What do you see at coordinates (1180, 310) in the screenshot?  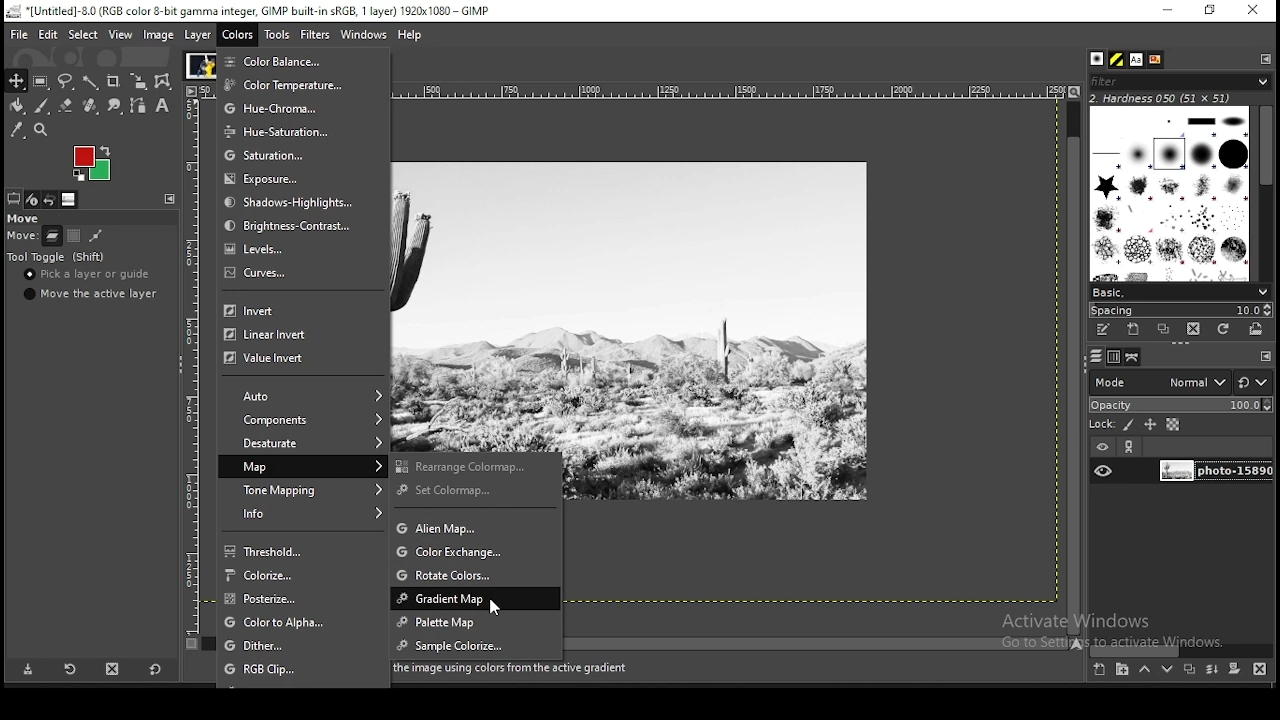 I see `spacing` at bounding box center [1180, 310].